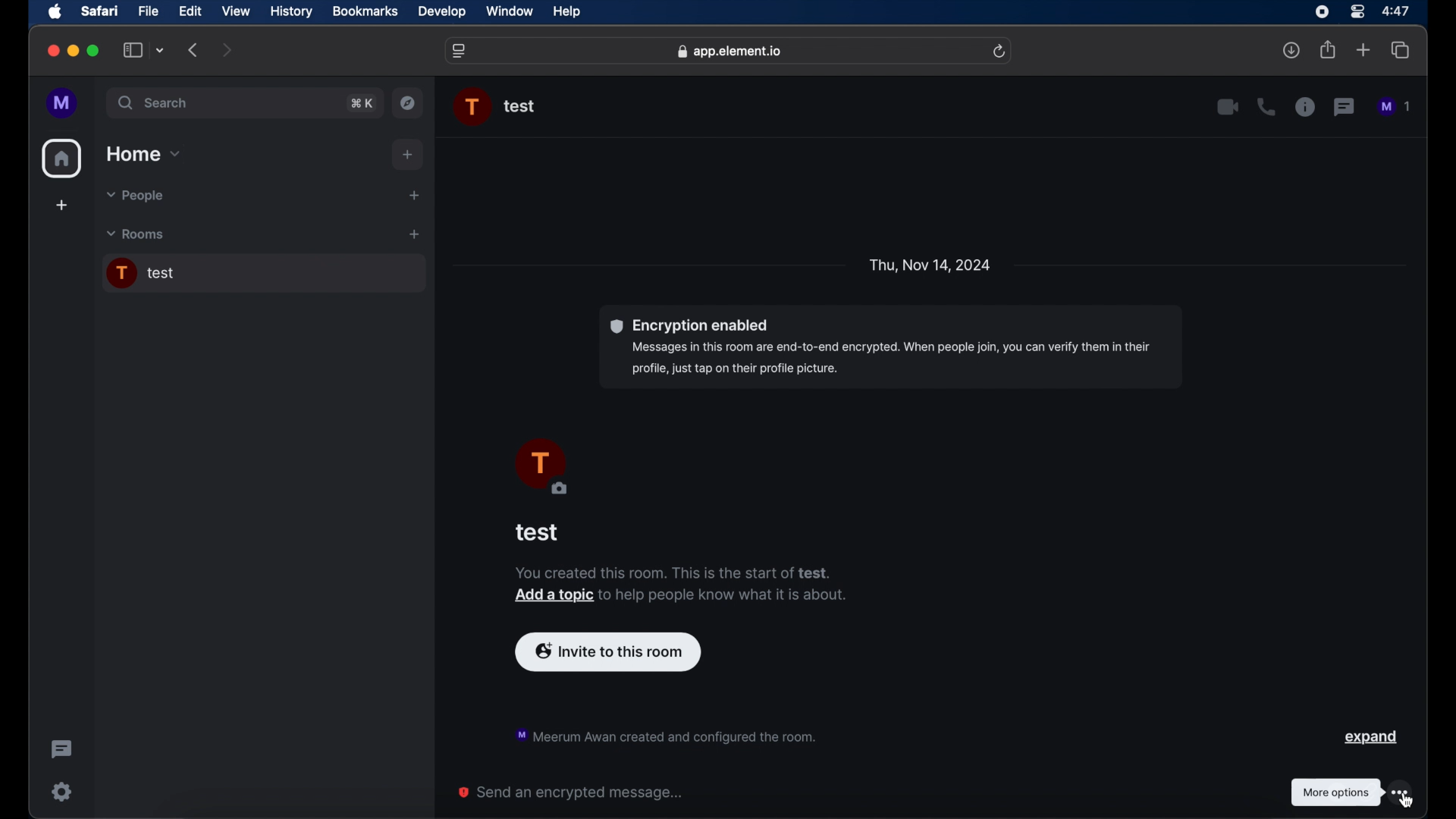  I want to click on downloads, so click(1293, 51).